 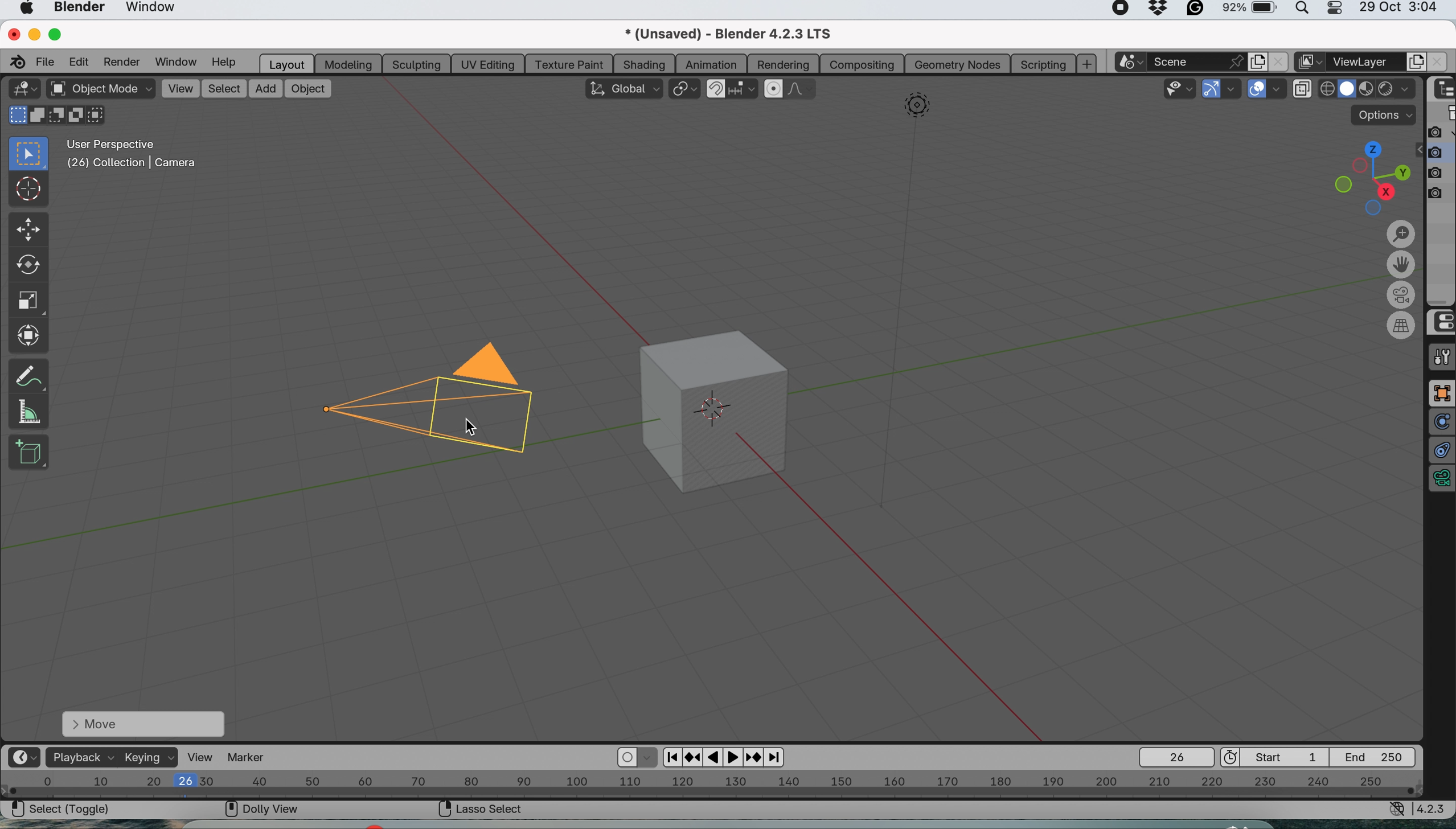 What do you see at coordinates (1328, 85) in the screenshot?
I see `solid display` at bounding box center [1328, 85].